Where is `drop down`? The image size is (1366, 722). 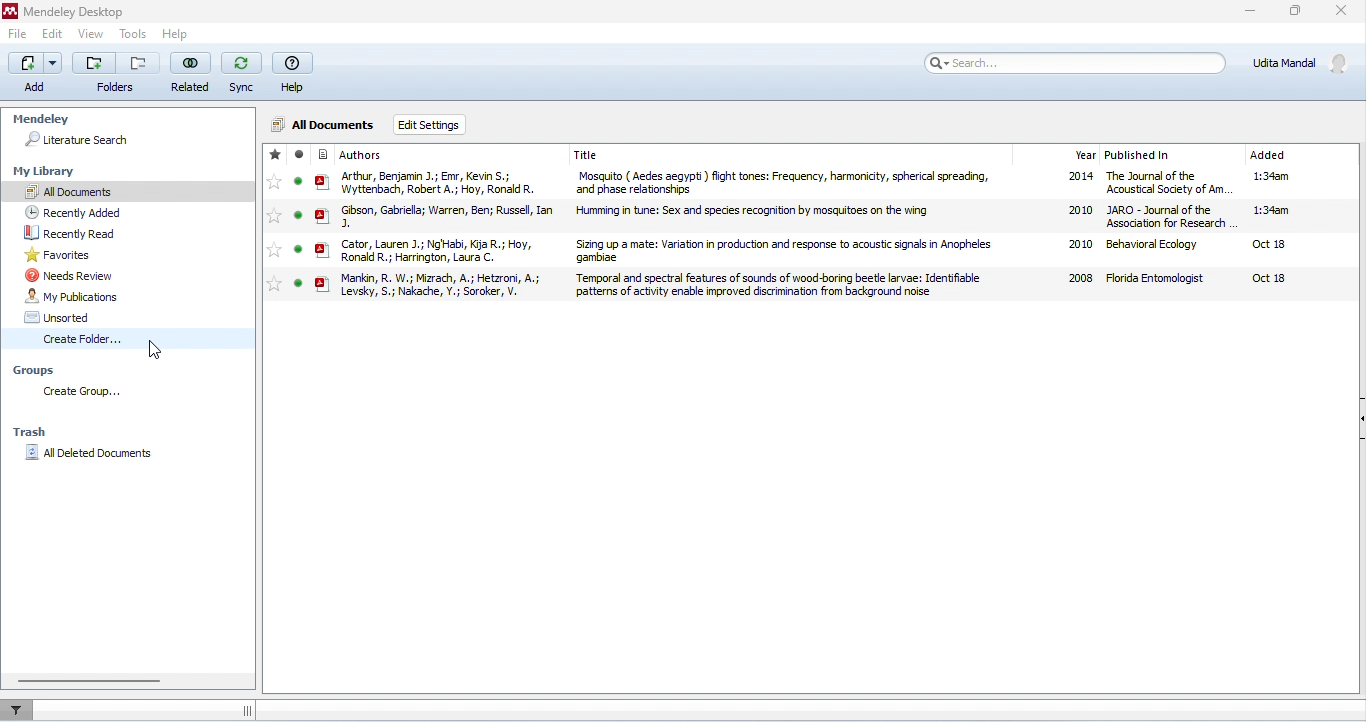 drop down is located at coordinates (55, 62).